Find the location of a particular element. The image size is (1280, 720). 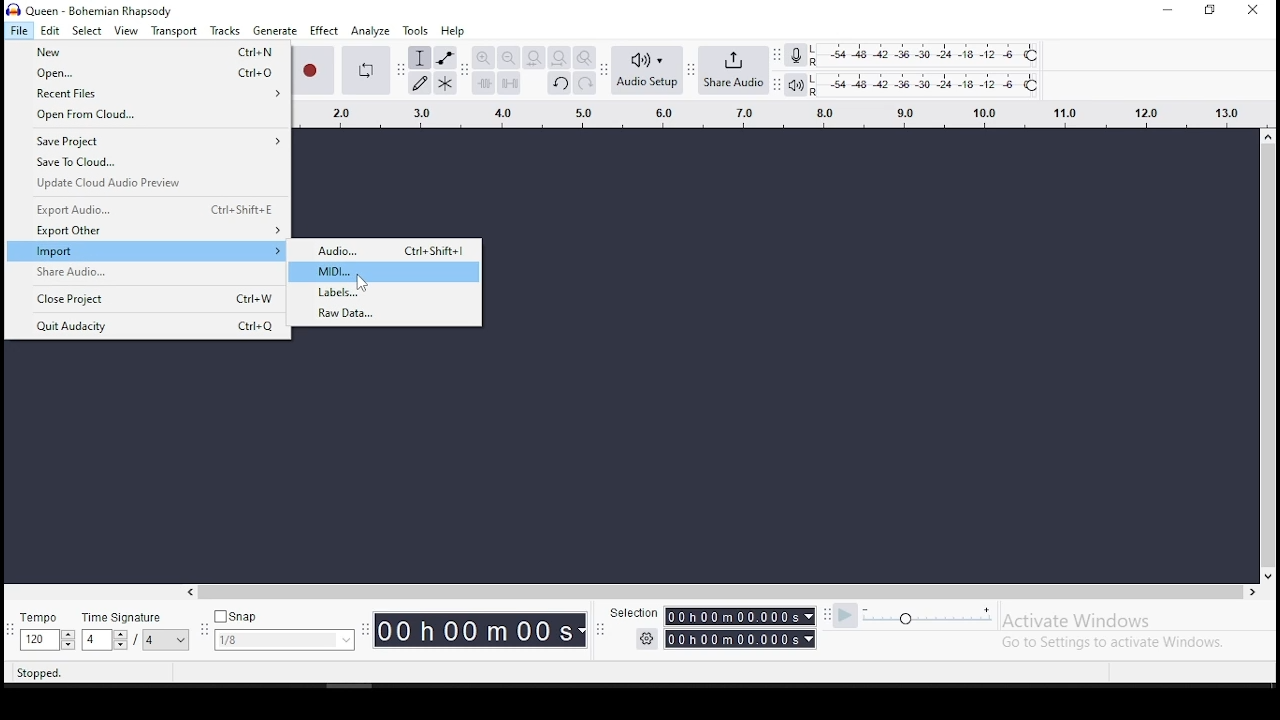

Raw Data is located at coordinates (388, 315).